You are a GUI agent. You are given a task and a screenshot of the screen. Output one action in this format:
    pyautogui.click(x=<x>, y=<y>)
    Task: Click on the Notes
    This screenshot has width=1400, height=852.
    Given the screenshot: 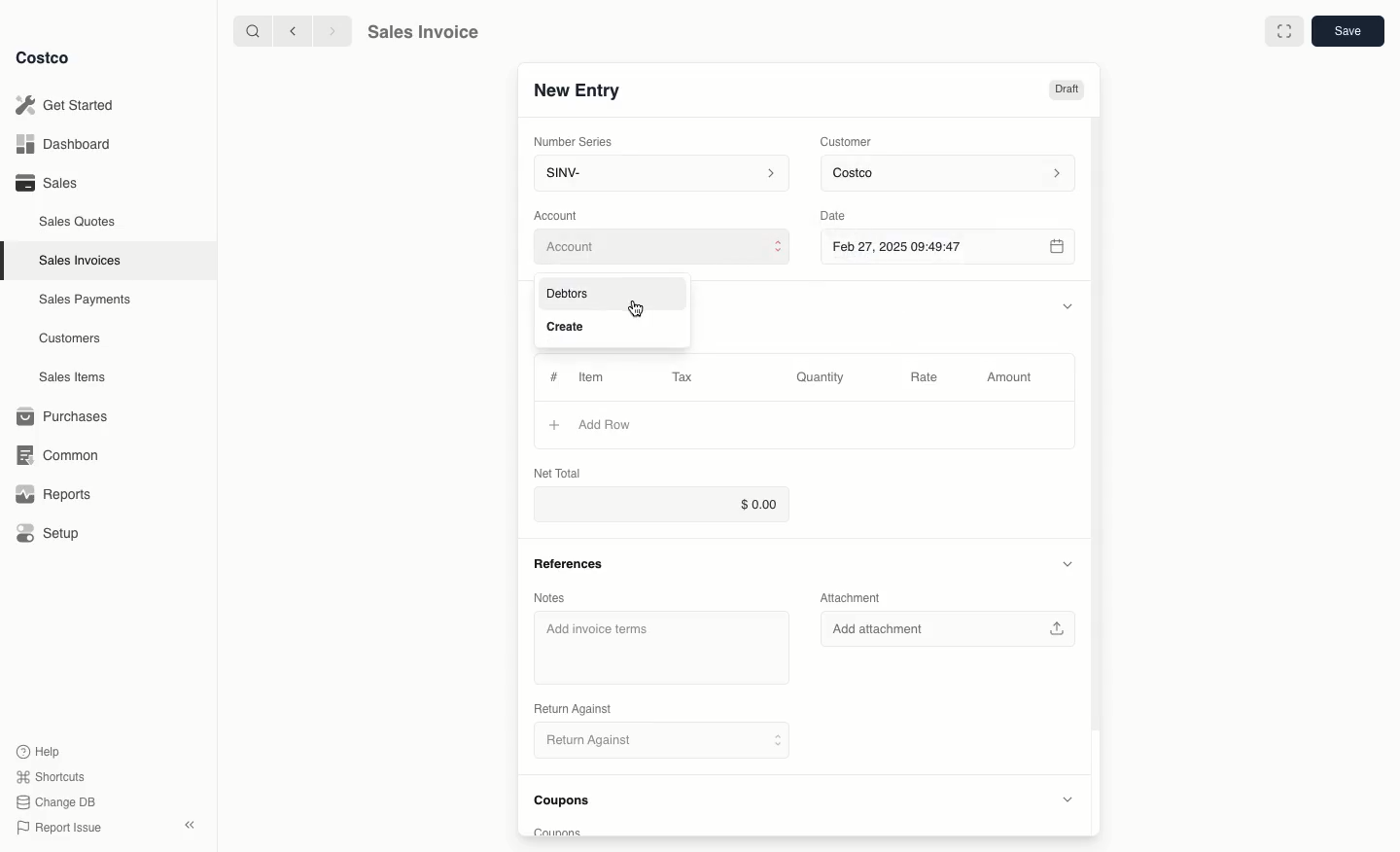 What is the action you would take?
    pyautogui.click(x=549, y=598)
    